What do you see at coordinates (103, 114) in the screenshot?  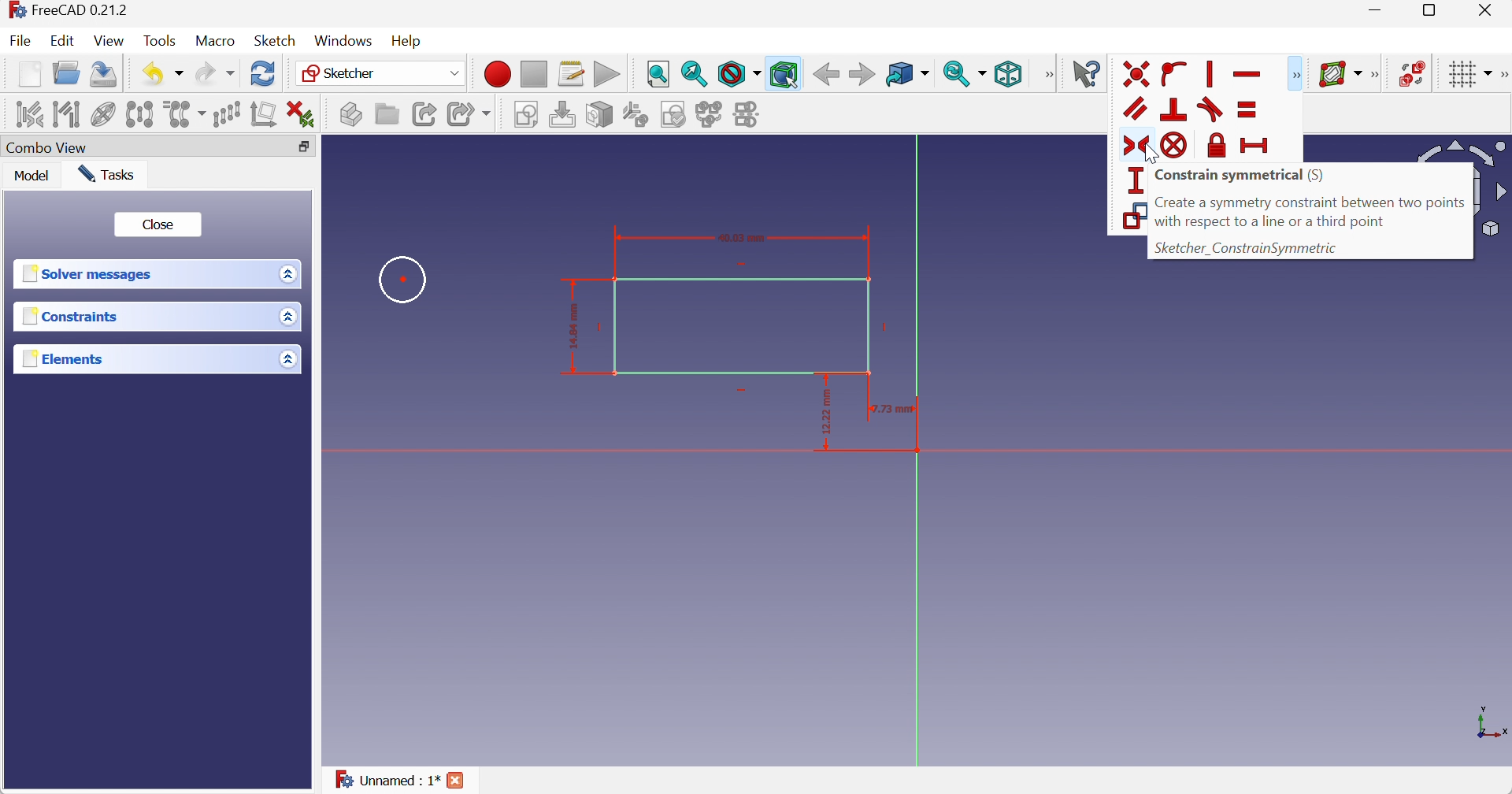 I see `Show/hide internal geometry` at bounding box center [103, 114].